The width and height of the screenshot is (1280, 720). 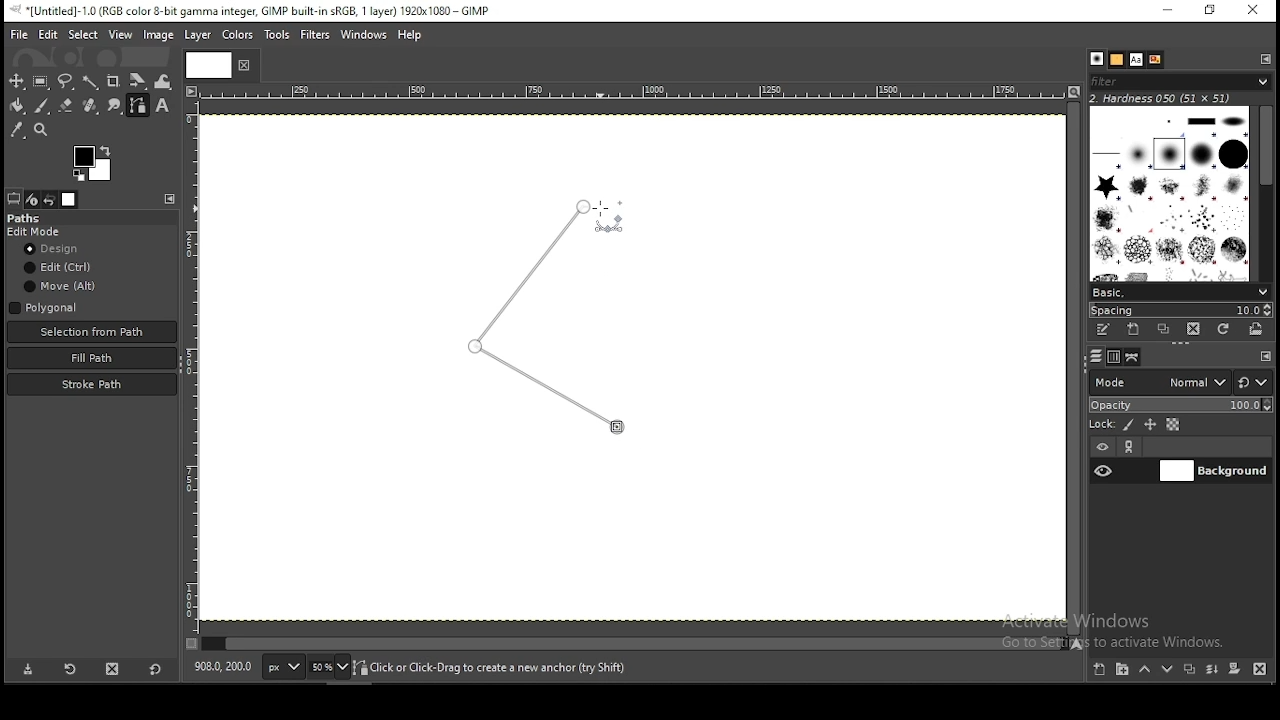 I want to click on crop tool, so click(x=115, y=80).